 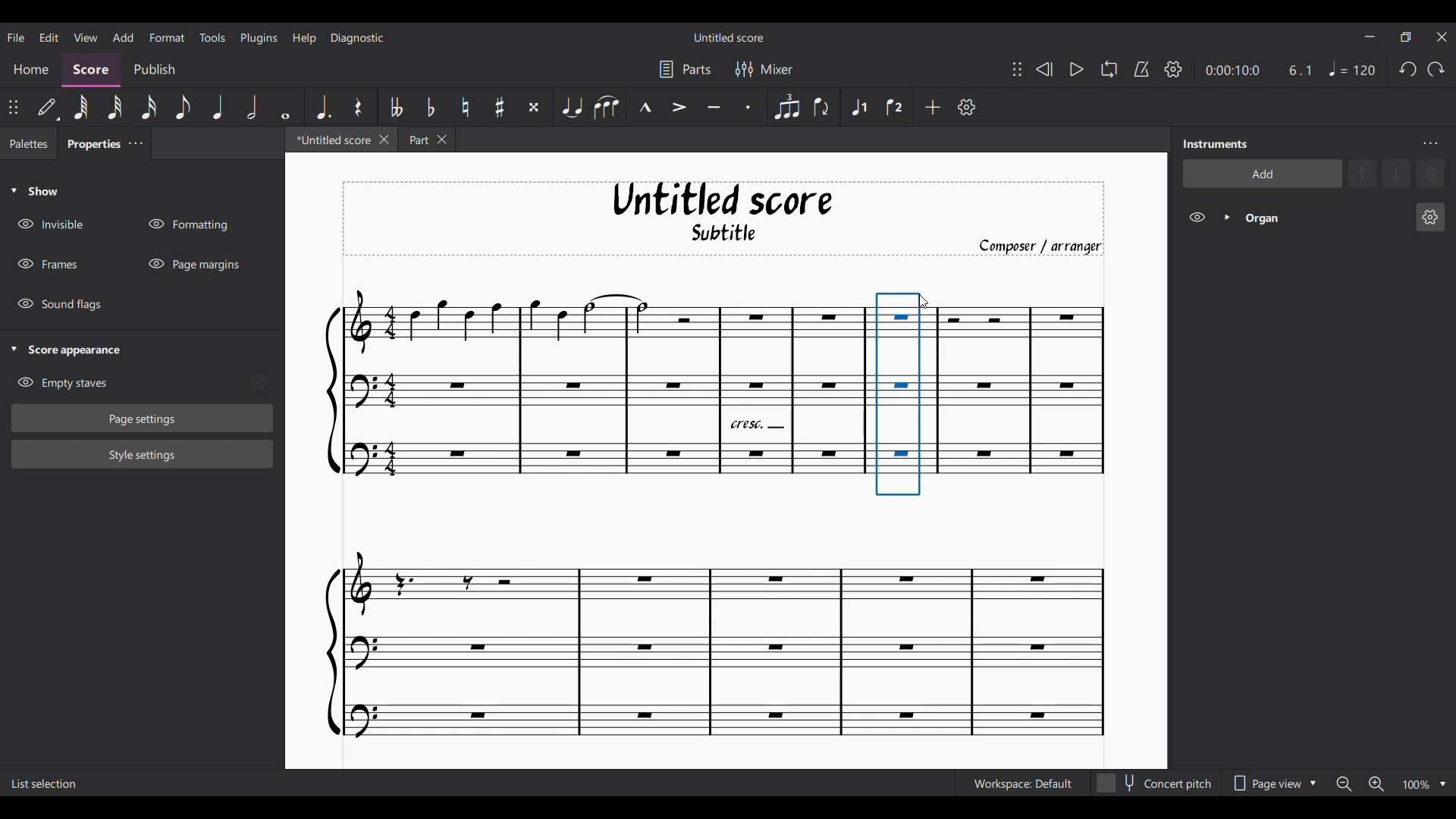 I want to click on Tools menu, so click(x=212, y=36).